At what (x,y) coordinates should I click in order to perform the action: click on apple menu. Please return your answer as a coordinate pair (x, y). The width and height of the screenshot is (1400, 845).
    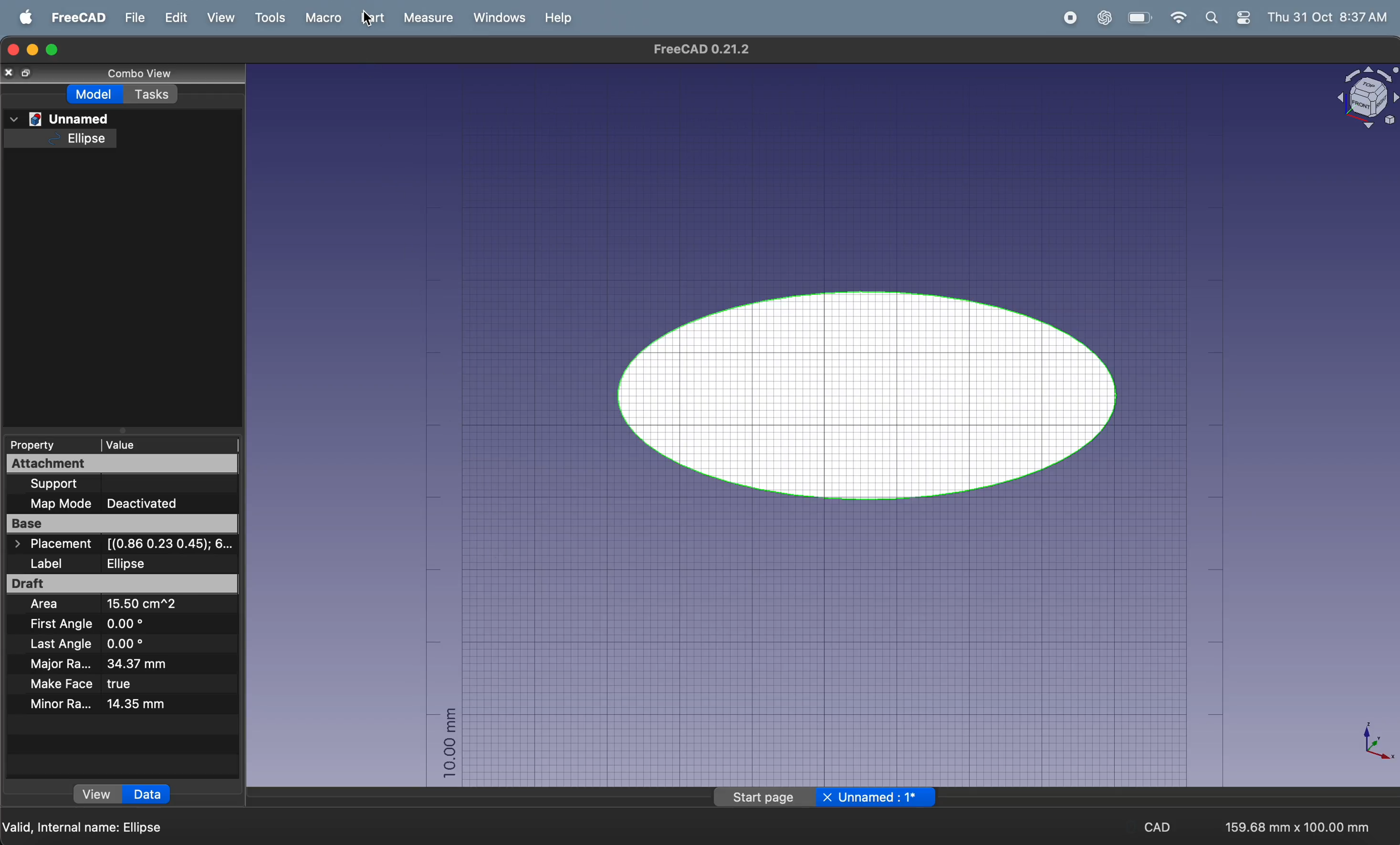
    Looking at the image, I should click on (20, 18).